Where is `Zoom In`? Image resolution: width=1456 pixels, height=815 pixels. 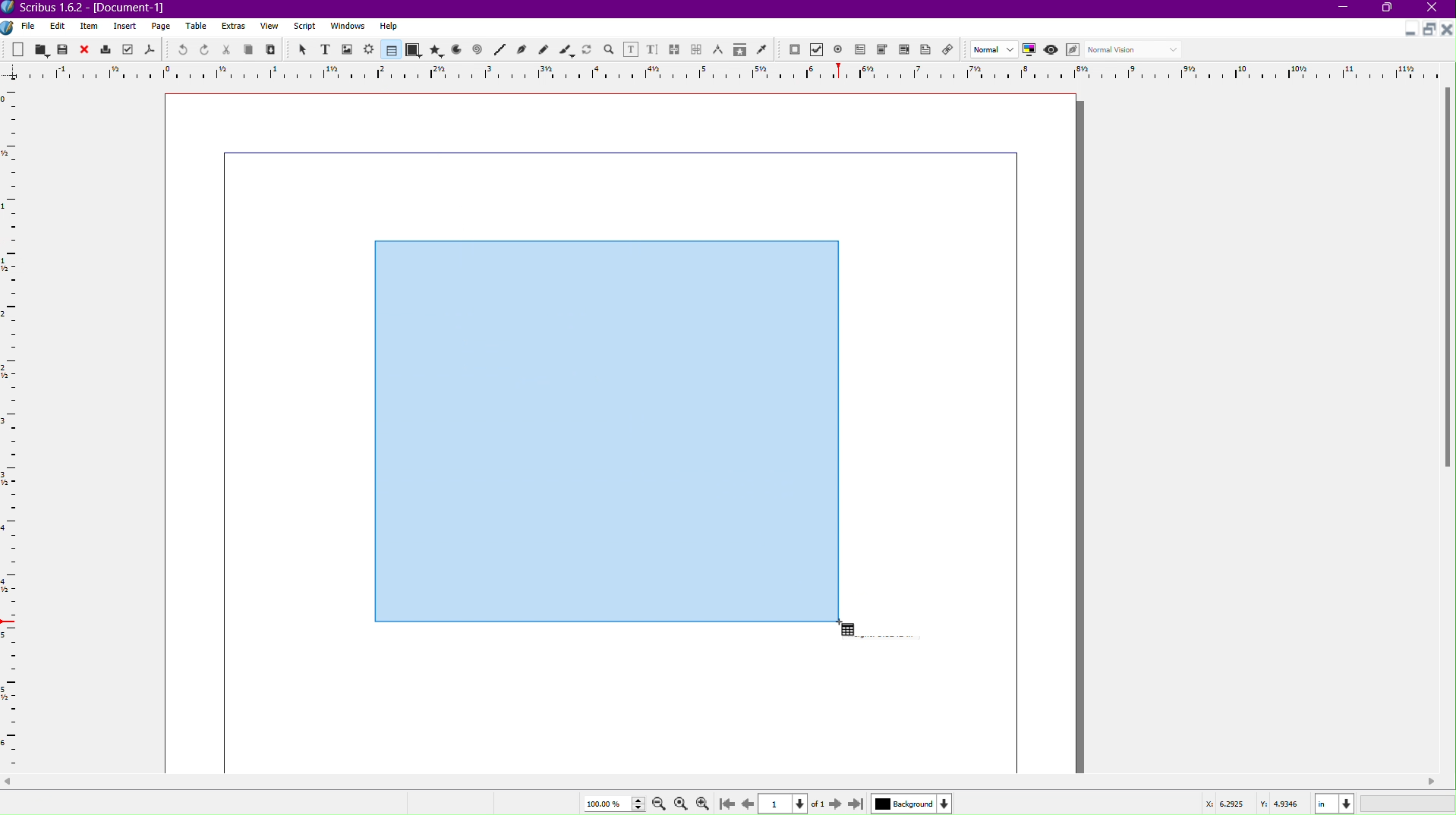 Zoom In is located at coordinates (706, 803).